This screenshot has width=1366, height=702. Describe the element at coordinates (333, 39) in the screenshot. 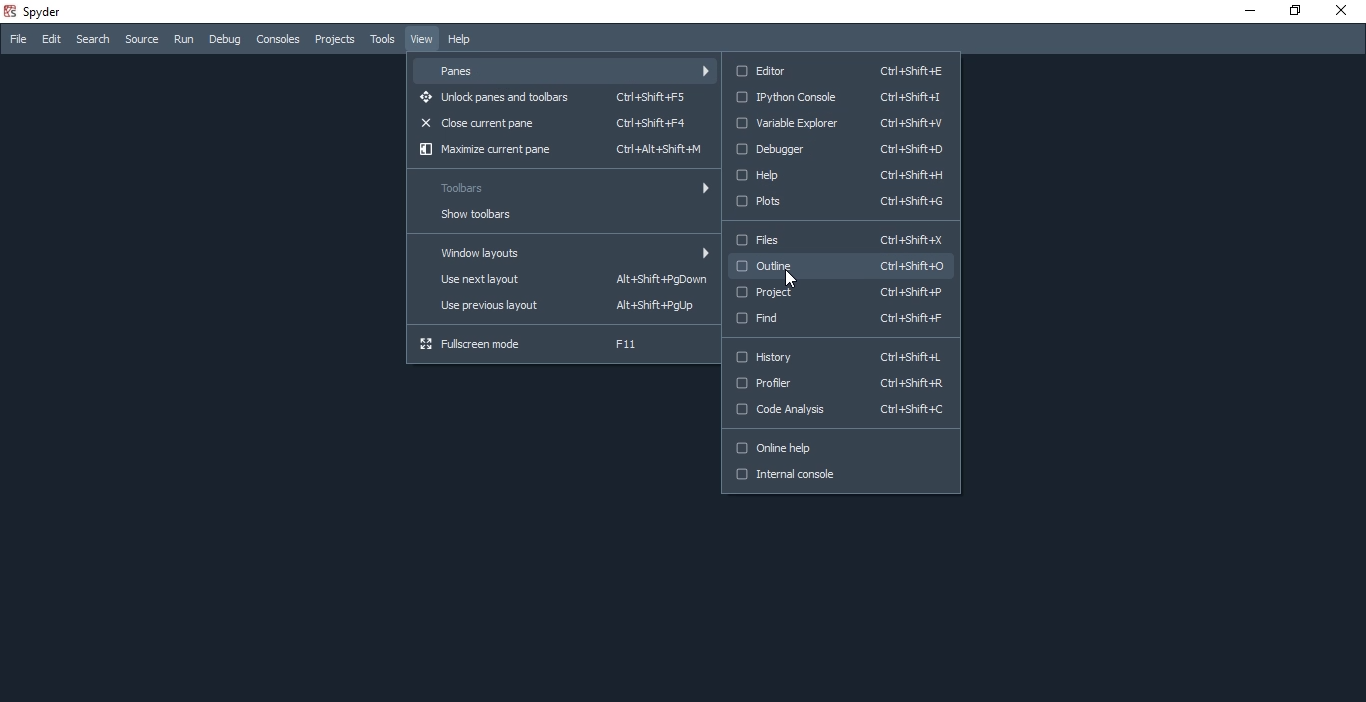

I see `Projects` at that location.